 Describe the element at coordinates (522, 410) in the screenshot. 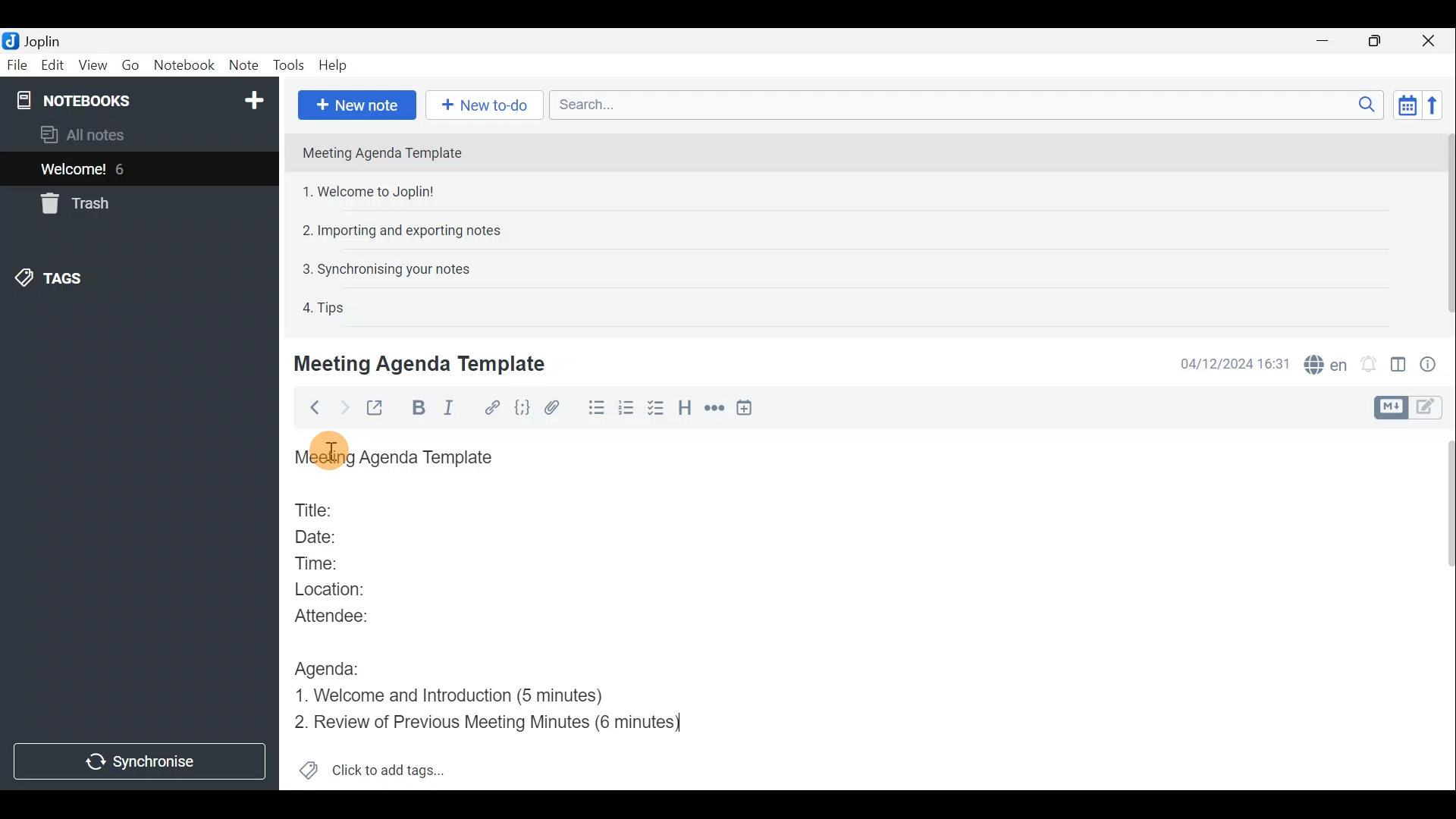

I see `Code` at that location.